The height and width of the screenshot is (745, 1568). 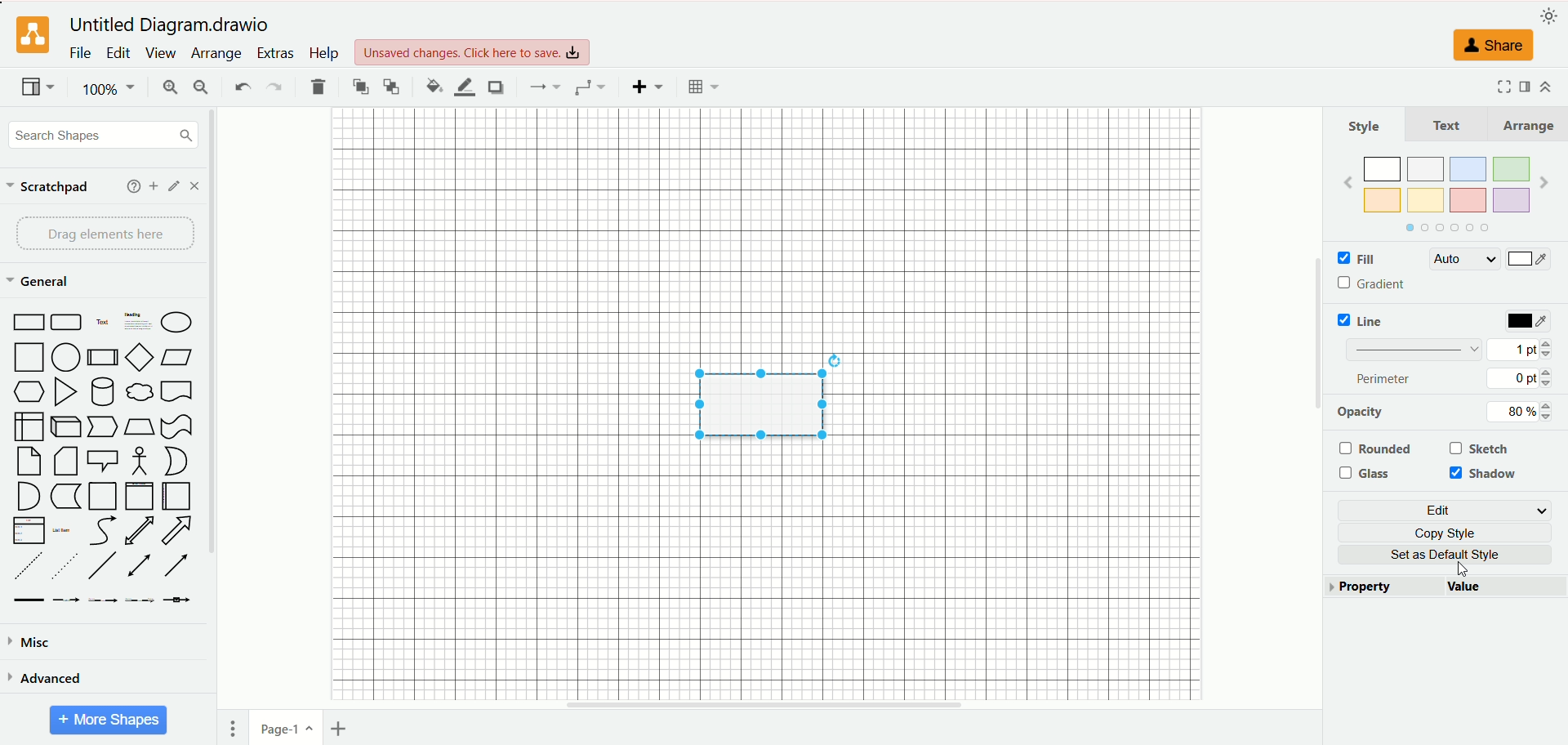 What do you see at coordinates (110, 89) in the screenshot?
I see `100%` at bounding box center [110, 89].